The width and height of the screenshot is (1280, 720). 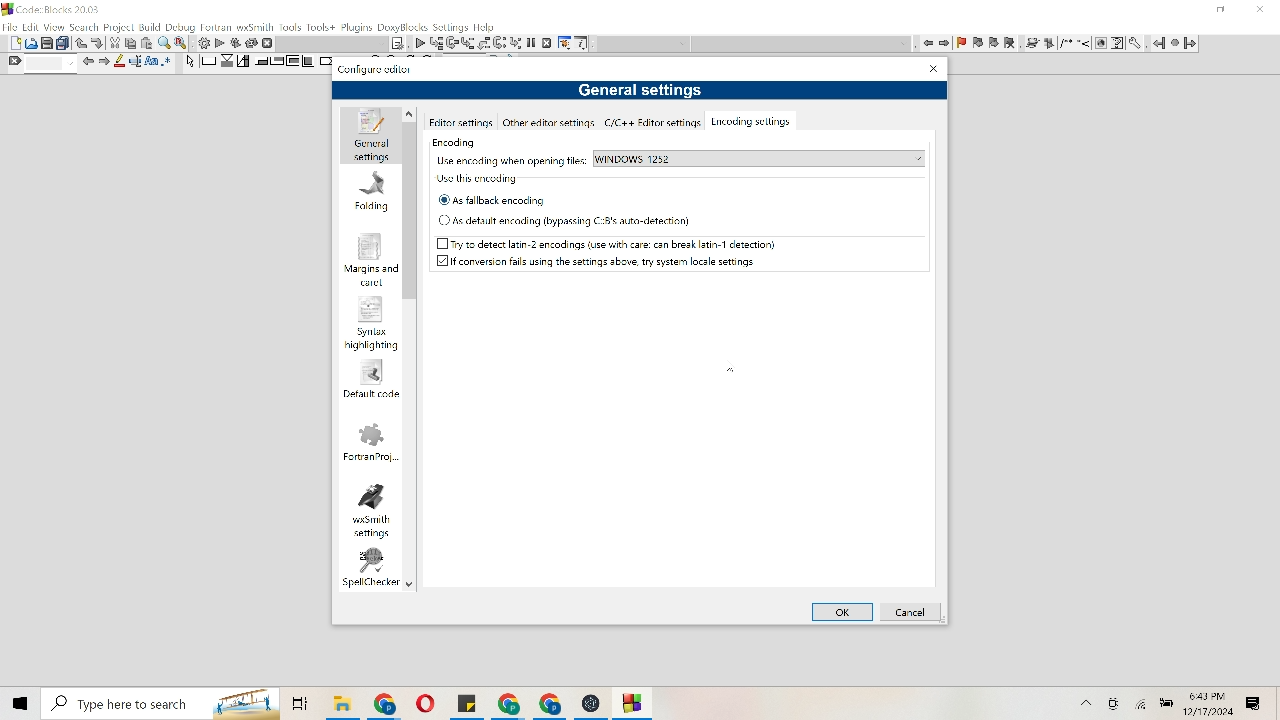 I want to click on File, so click(x=551, y=704).